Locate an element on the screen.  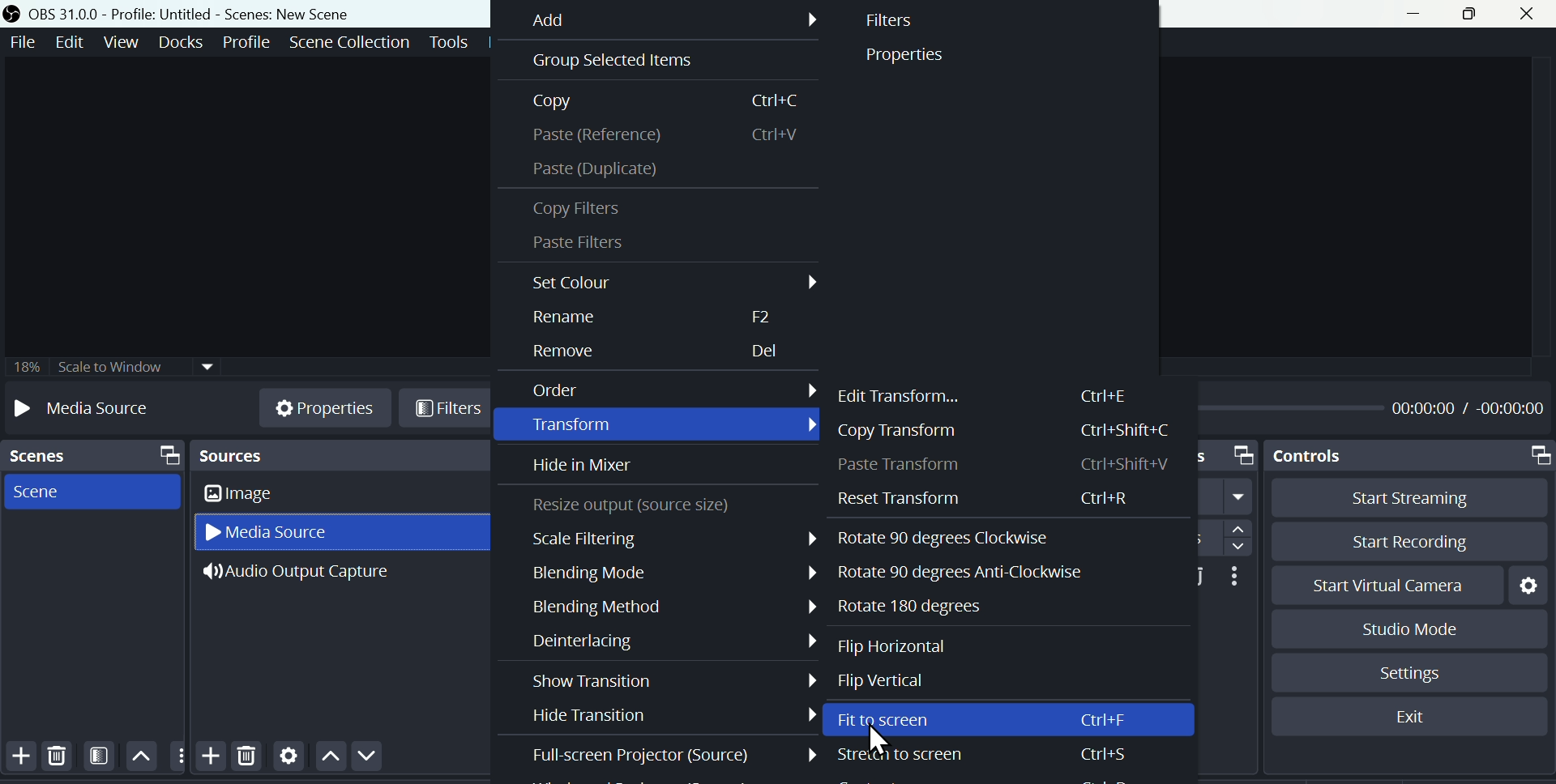
Delete is located at coordinates (247, 762).